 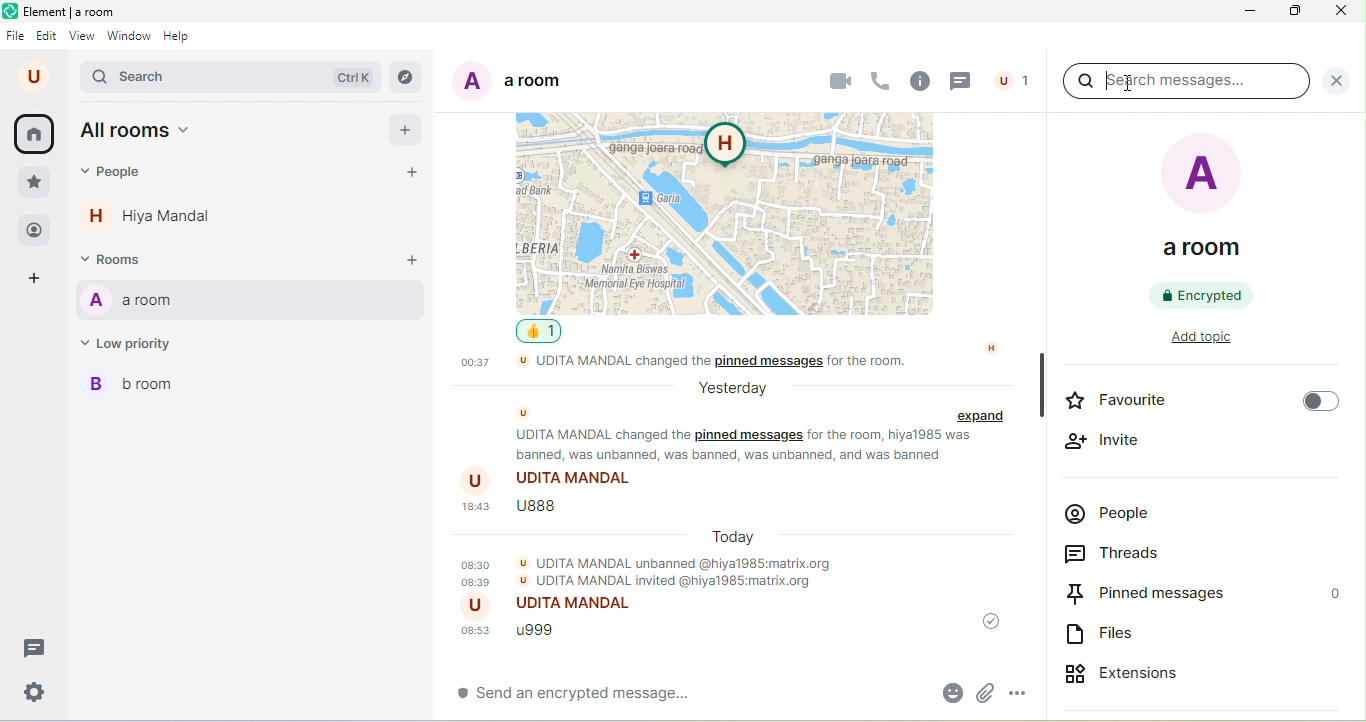 I want to click on u888, so click(x=516, y=512).